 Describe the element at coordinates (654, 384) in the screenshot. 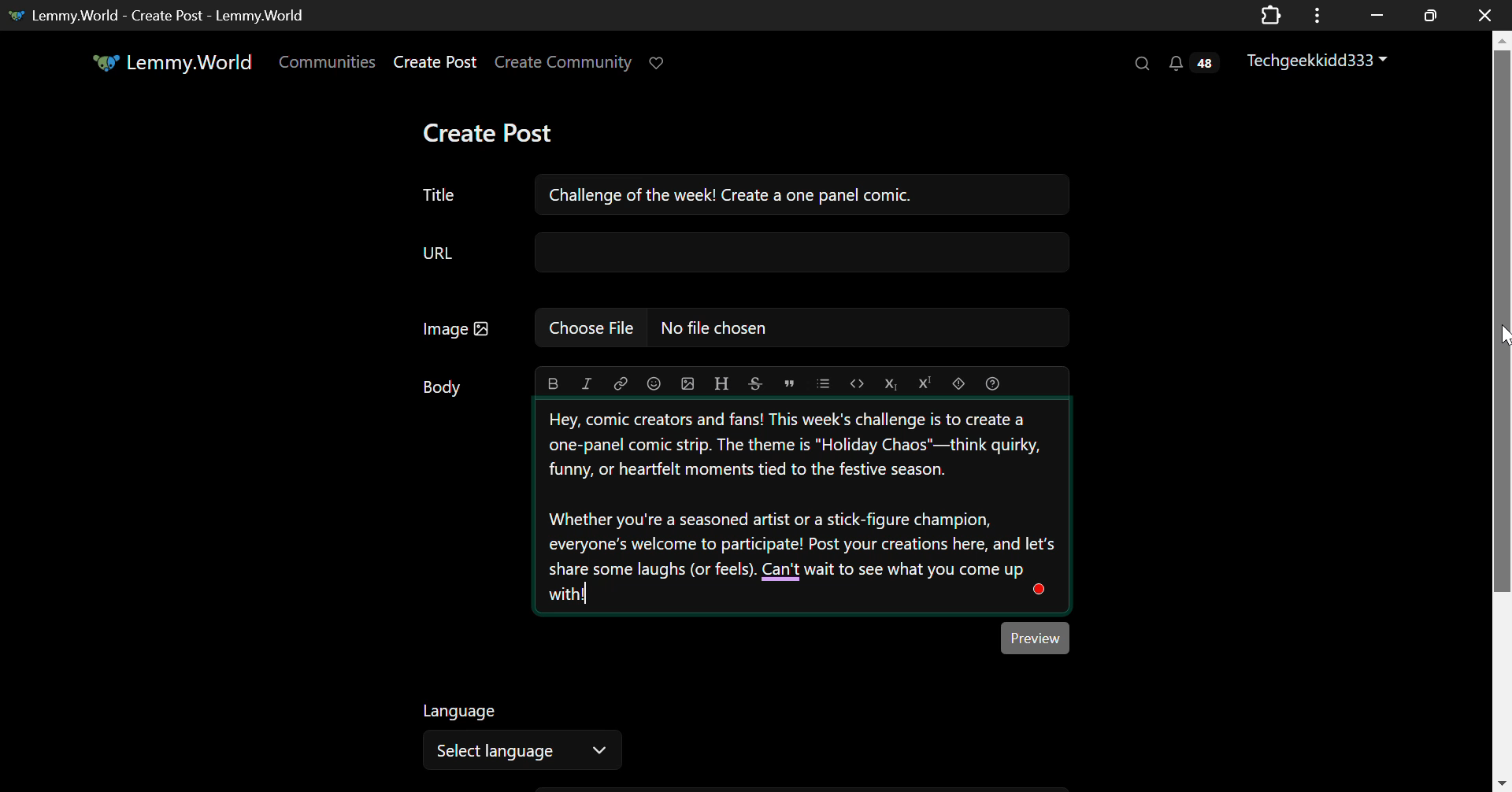

I see `Emoji` at that location.